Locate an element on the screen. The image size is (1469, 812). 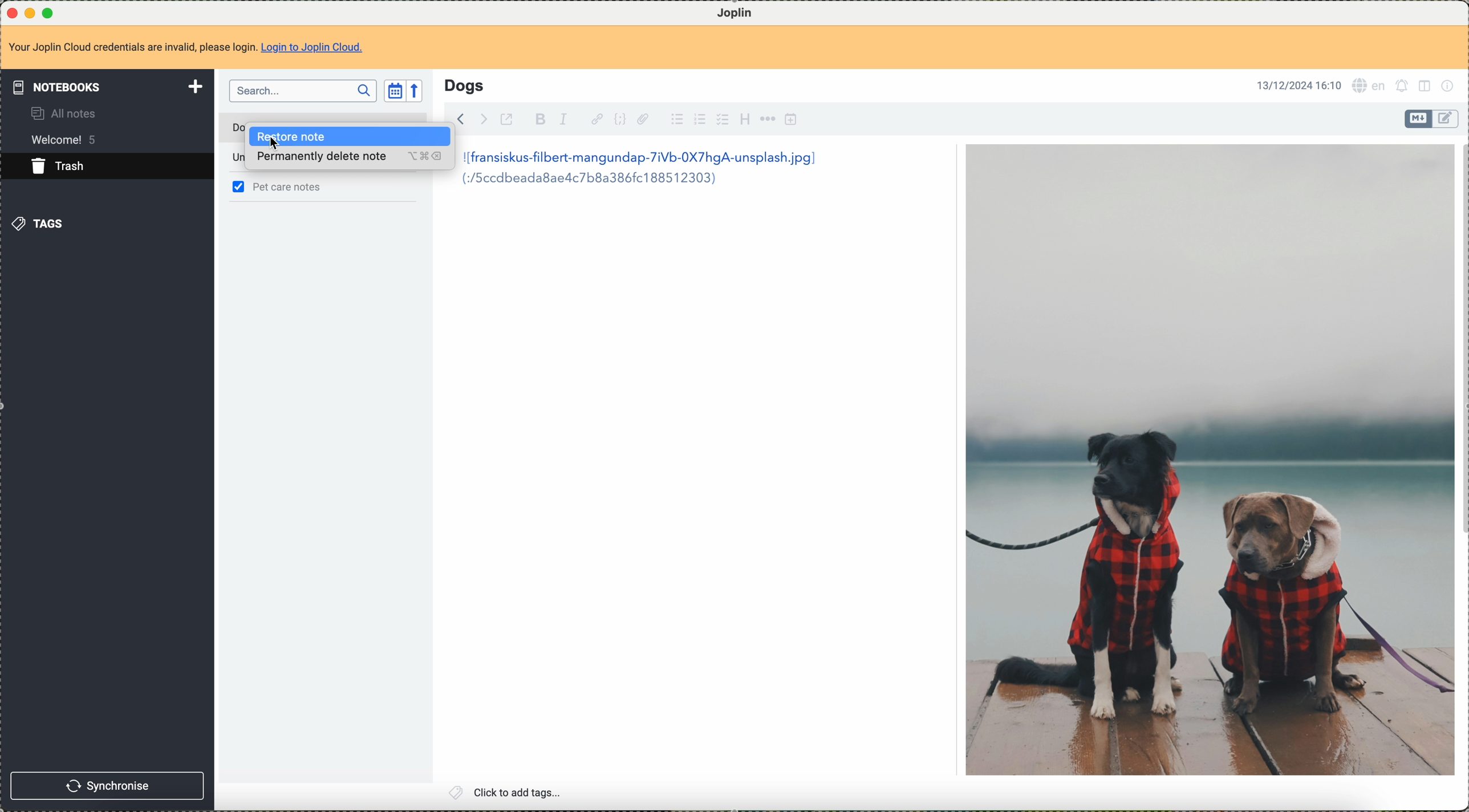
toggle sort order field is located at coordinates (392, 92).